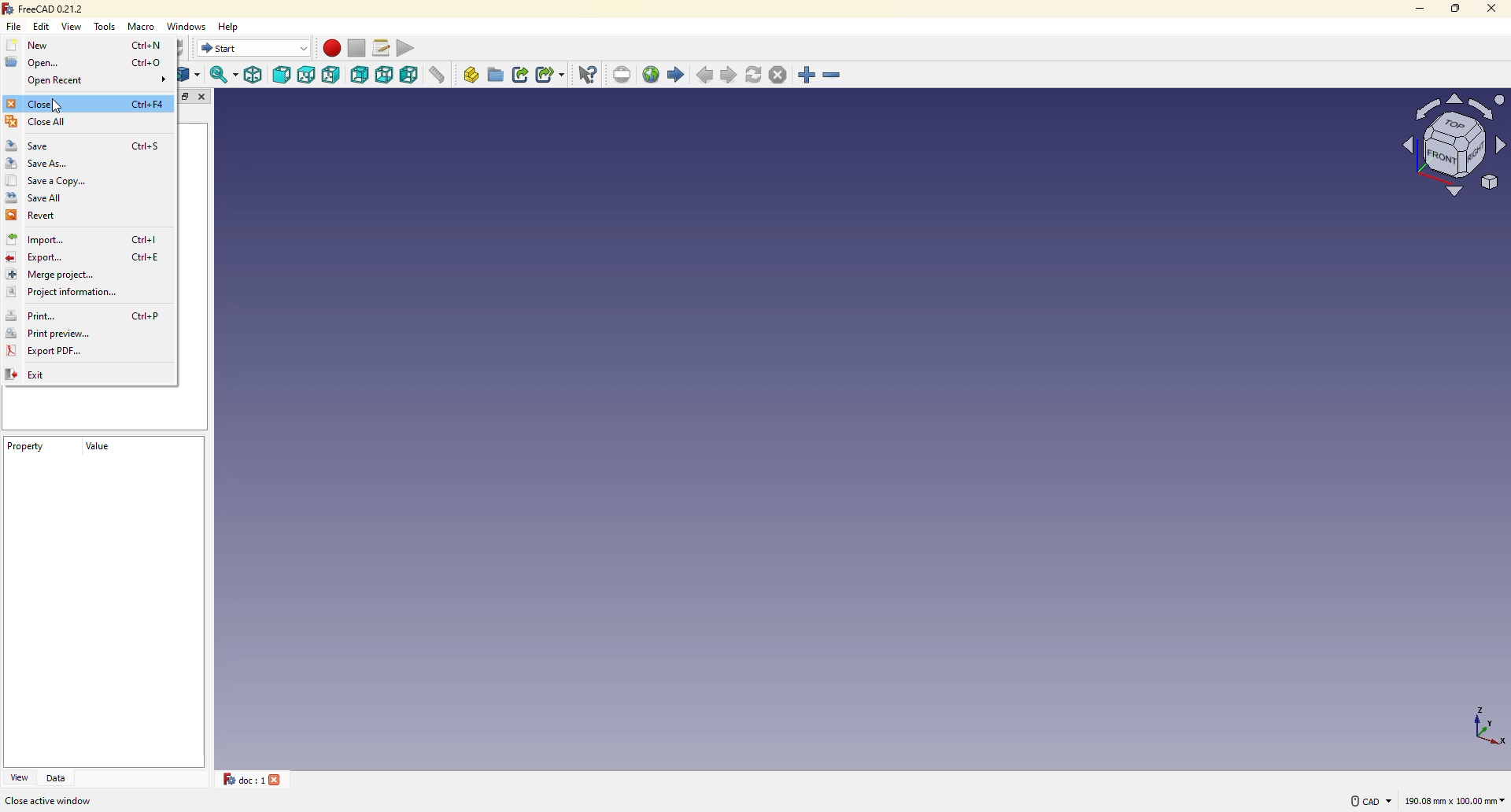 This screenshot has width=1511, height=812. What do you see at coordinates (45, 9) in the screenshot?
I see `freecad` at bounding box center [45, 9].